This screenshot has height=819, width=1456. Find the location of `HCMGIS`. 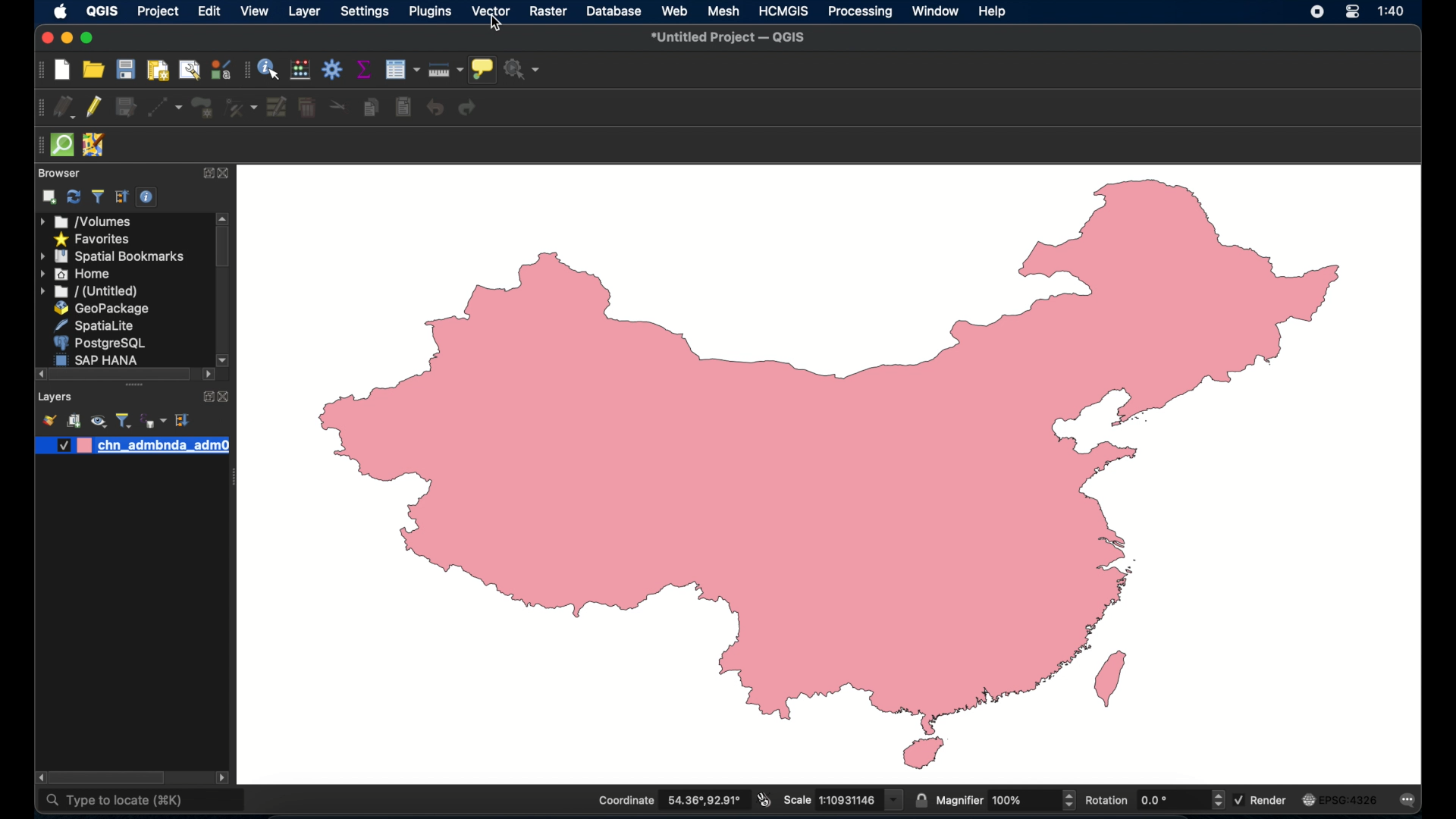

HCMGIS is located at coordinates (783, 11).